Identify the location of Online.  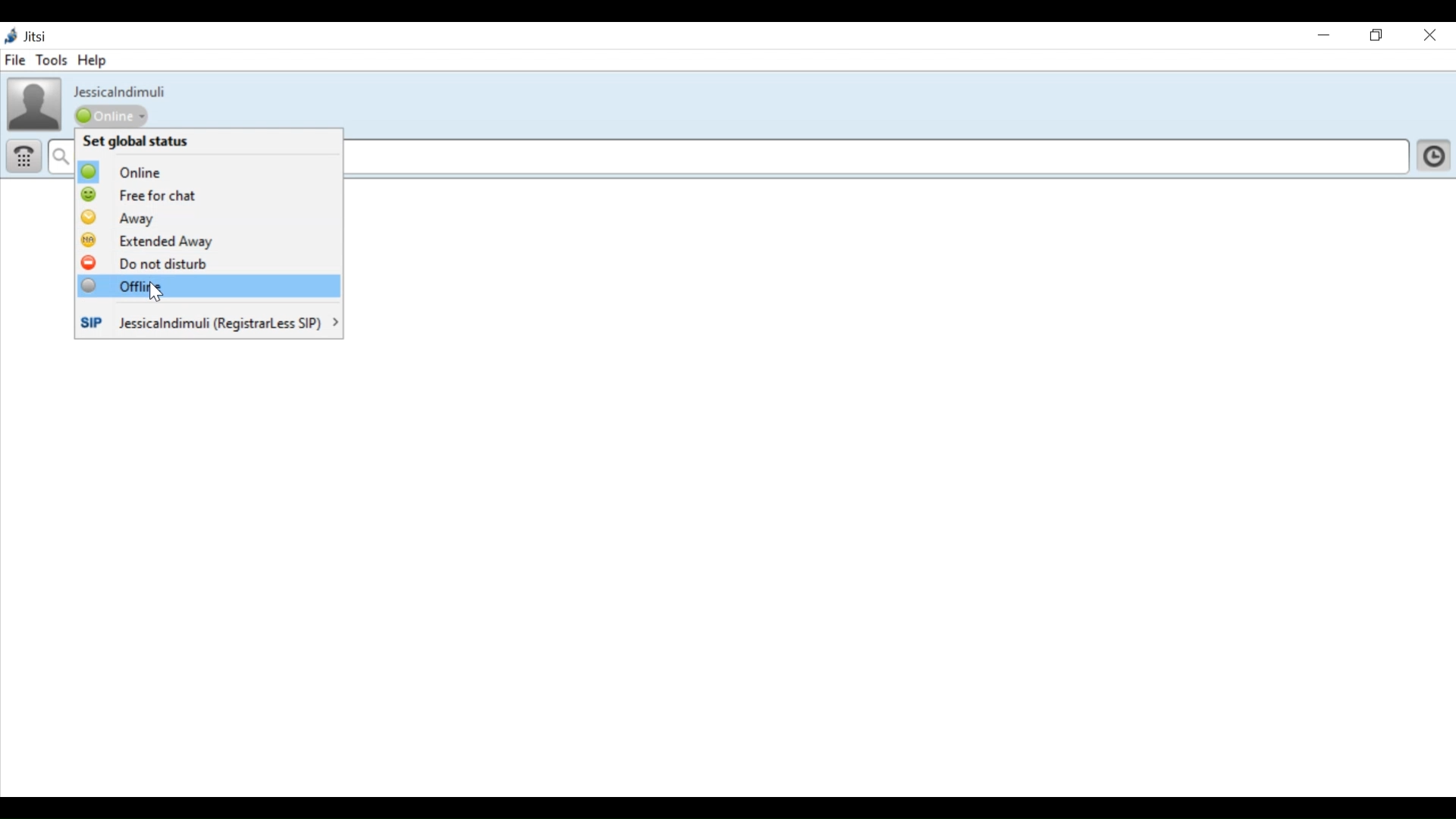
(206, 171).